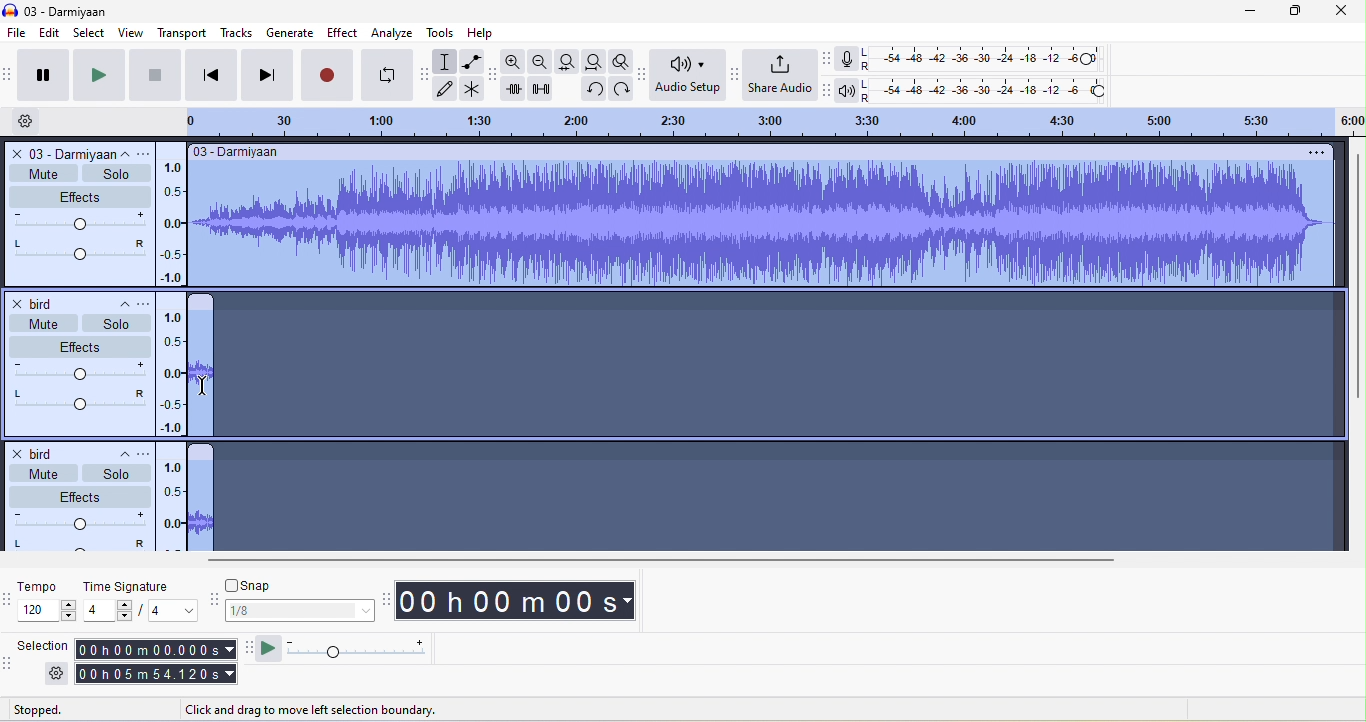  Describe the element at coordinates (134, 587) in the screenshot. I see `time signature` at that location.